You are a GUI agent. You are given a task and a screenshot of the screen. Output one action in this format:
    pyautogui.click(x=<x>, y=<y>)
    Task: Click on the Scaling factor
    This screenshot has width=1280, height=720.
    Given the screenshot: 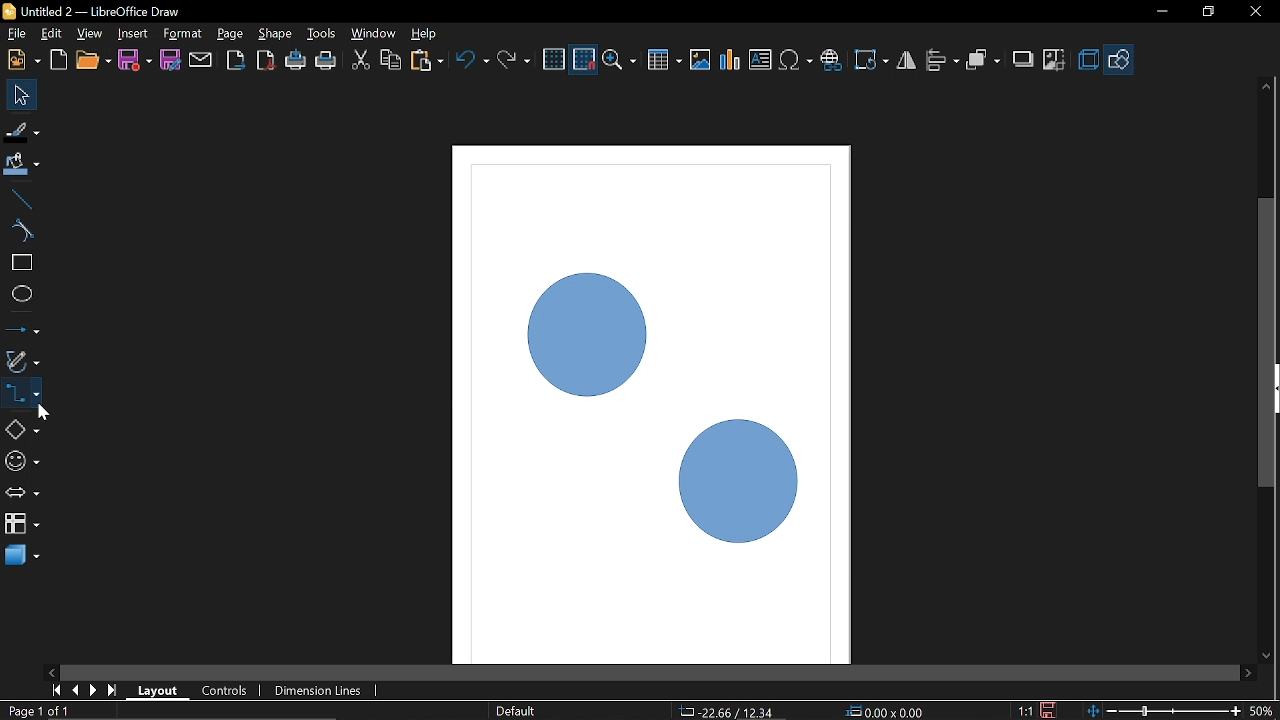 What is the action you would take?
    pyautogui.click(x=1026, y=710)
    